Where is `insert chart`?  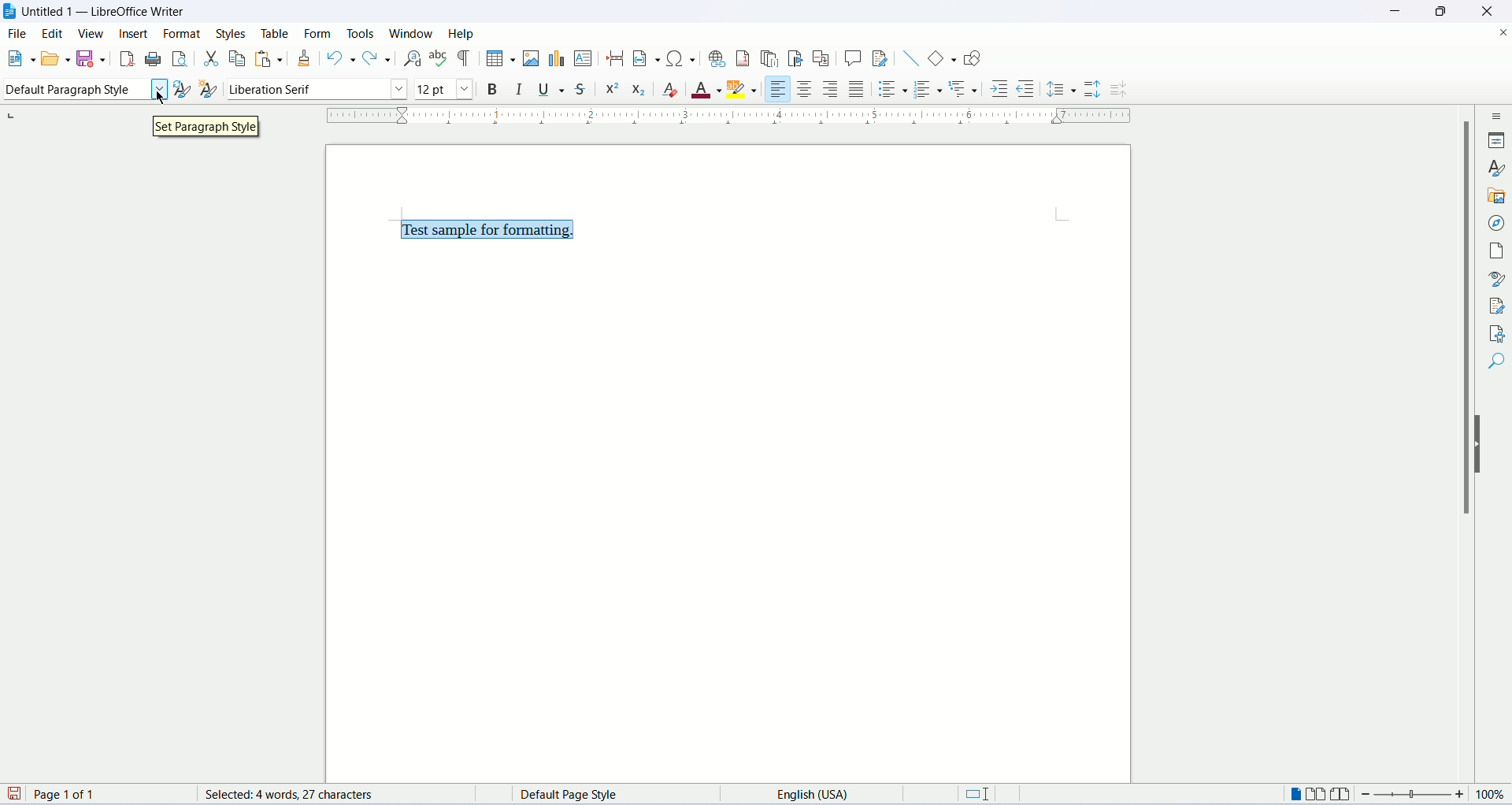
insert chart is located at coordinates (555, 59).